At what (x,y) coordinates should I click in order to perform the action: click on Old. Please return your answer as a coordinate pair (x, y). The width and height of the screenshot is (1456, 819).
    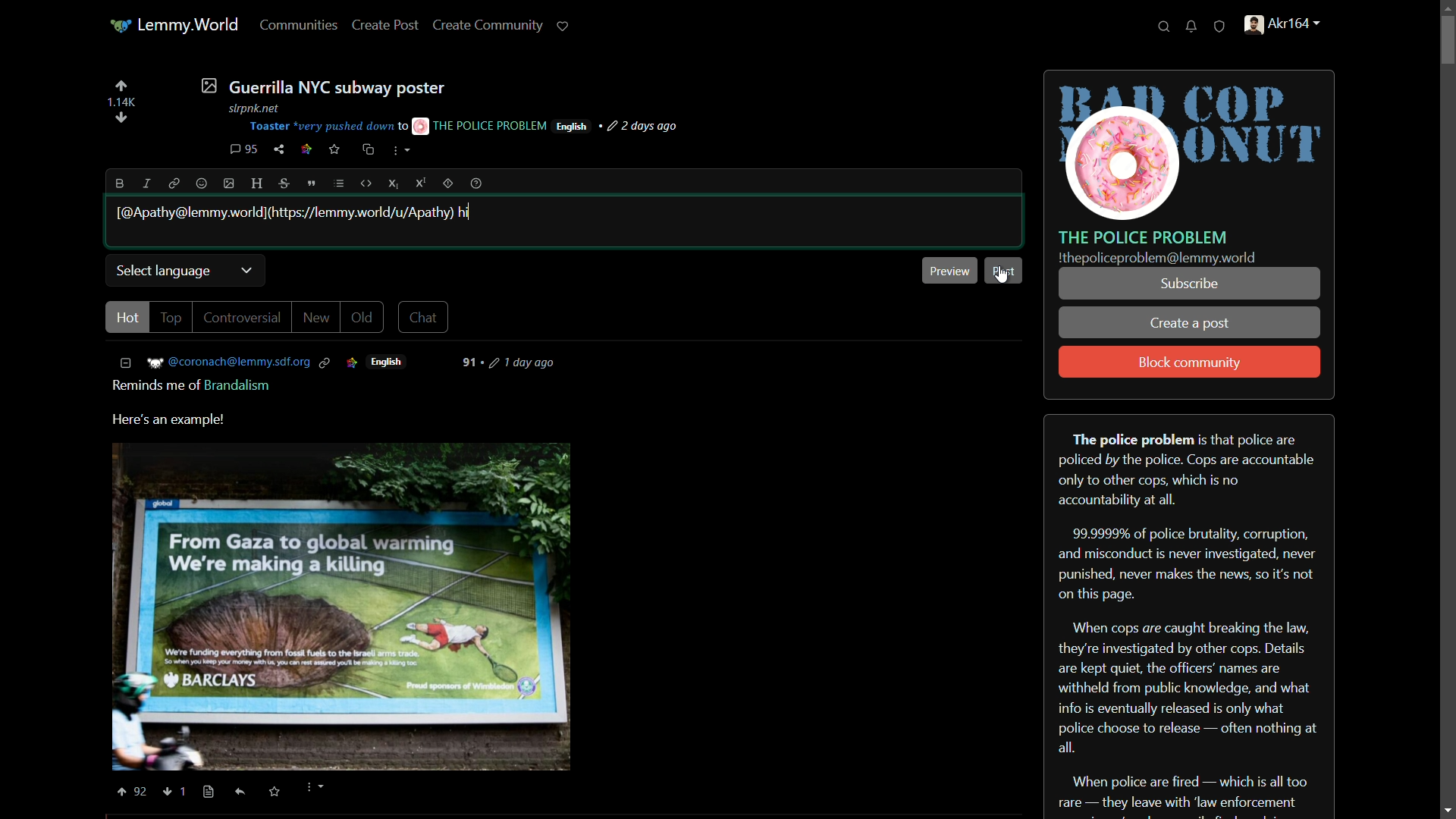
    Looking at the image, I should click on (362, 318).